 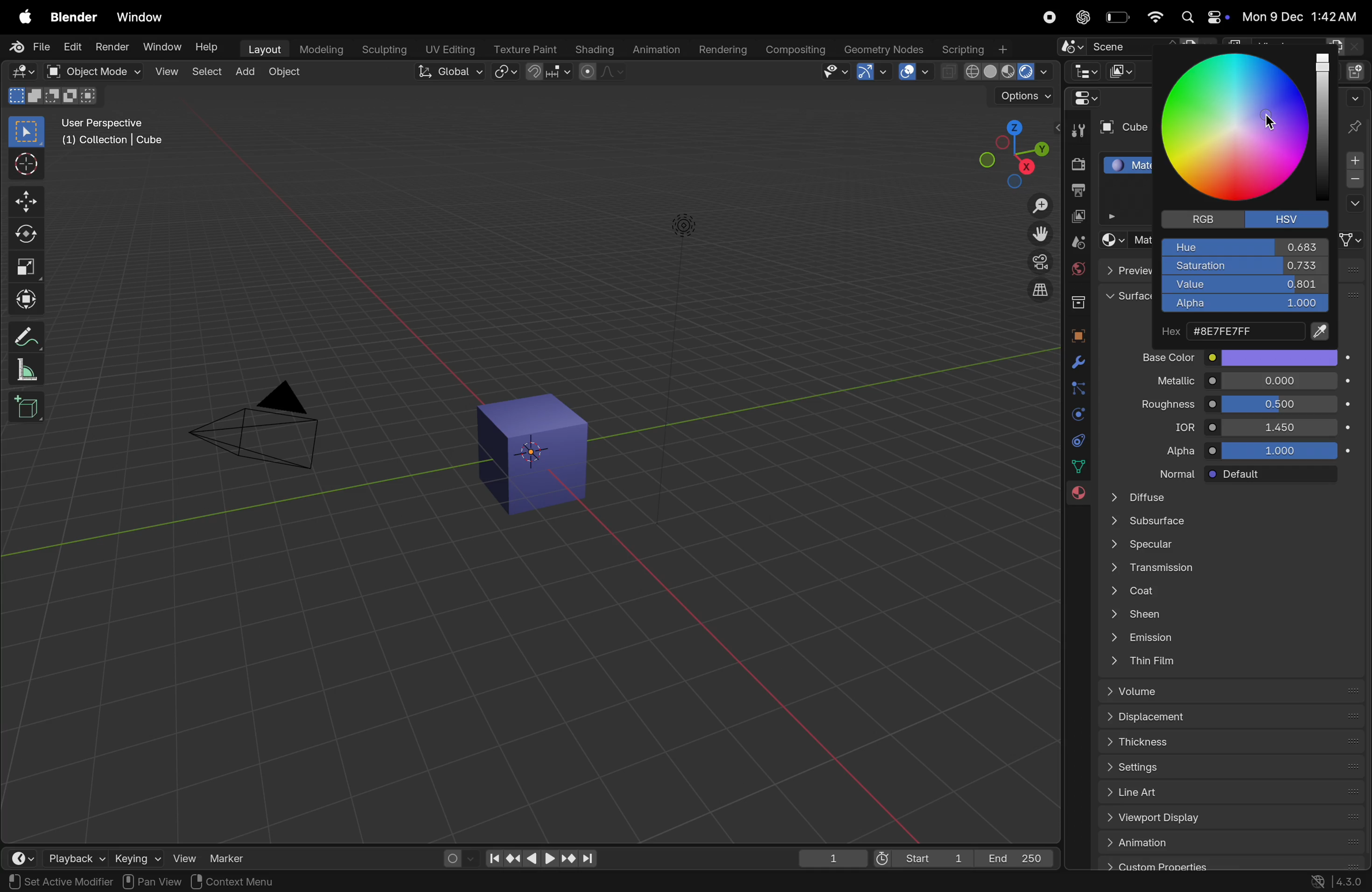 What do you see at coordinates (685, 227) in the screenshot?
I see `Lights` at bounding box center [685, 227].